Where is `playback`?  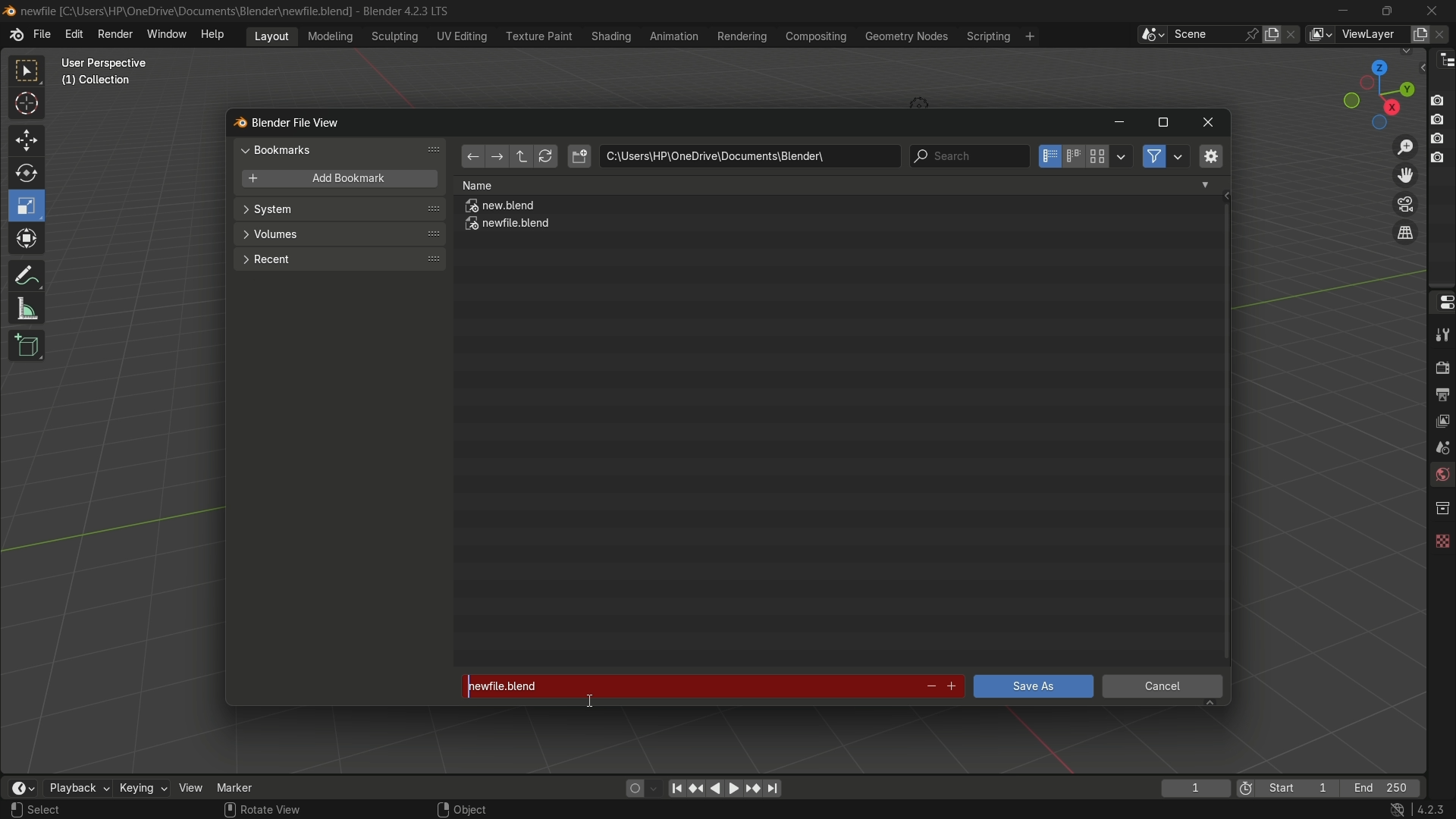 playback is located at coordinates (77, 788).